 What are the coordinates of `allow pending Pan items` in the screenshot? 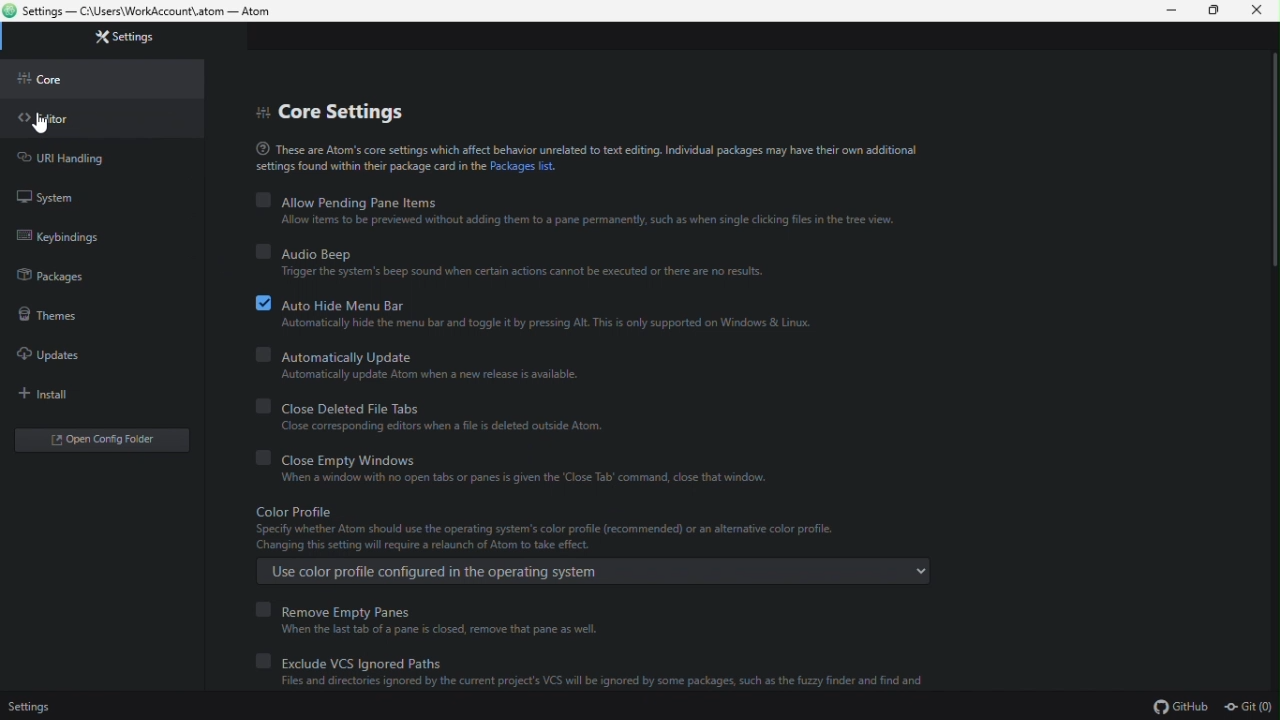 It's located at (576, 198).